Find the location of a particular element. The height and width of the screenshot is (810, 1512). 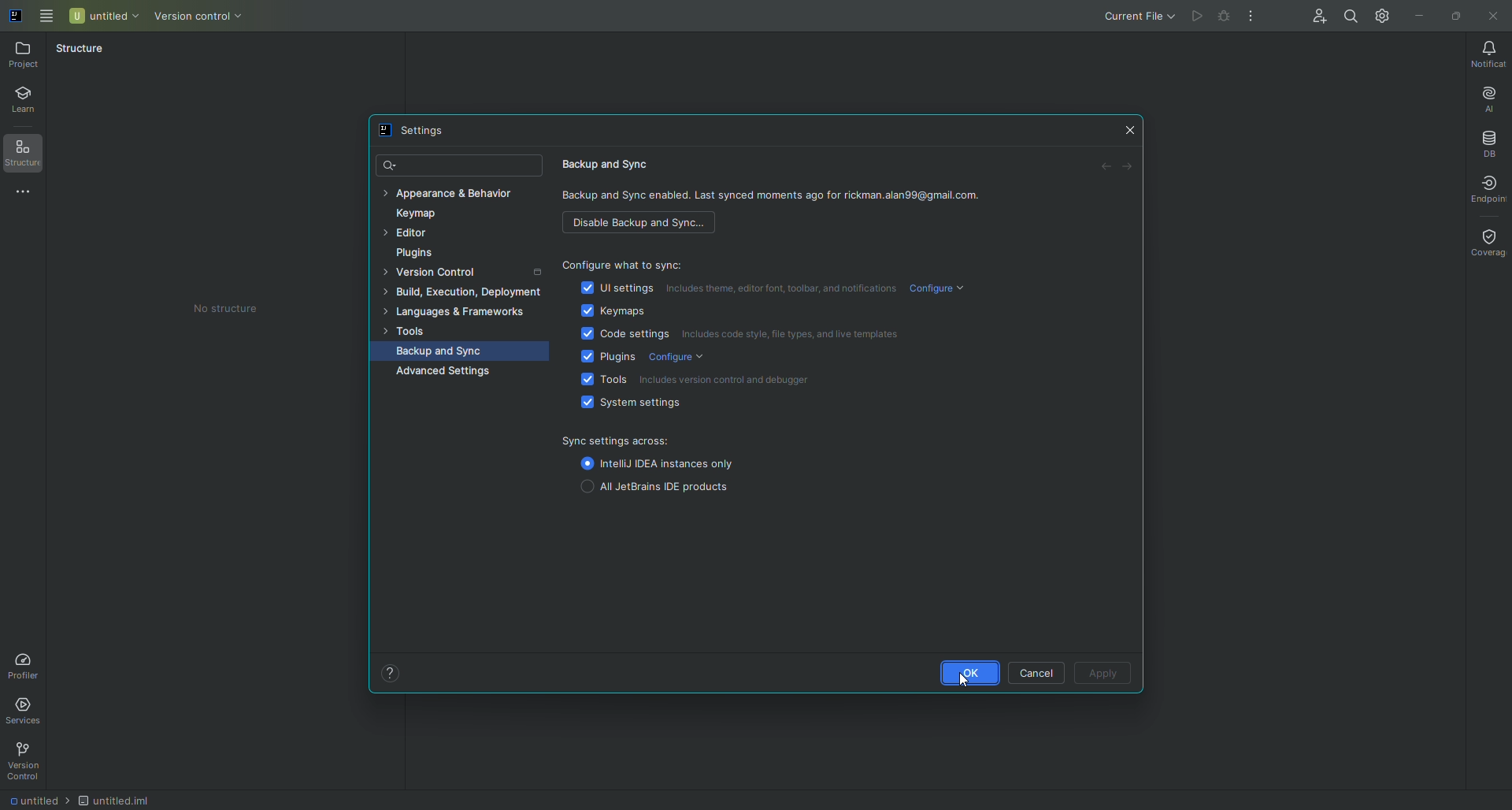

Editor is located at coordinates (410, 236).